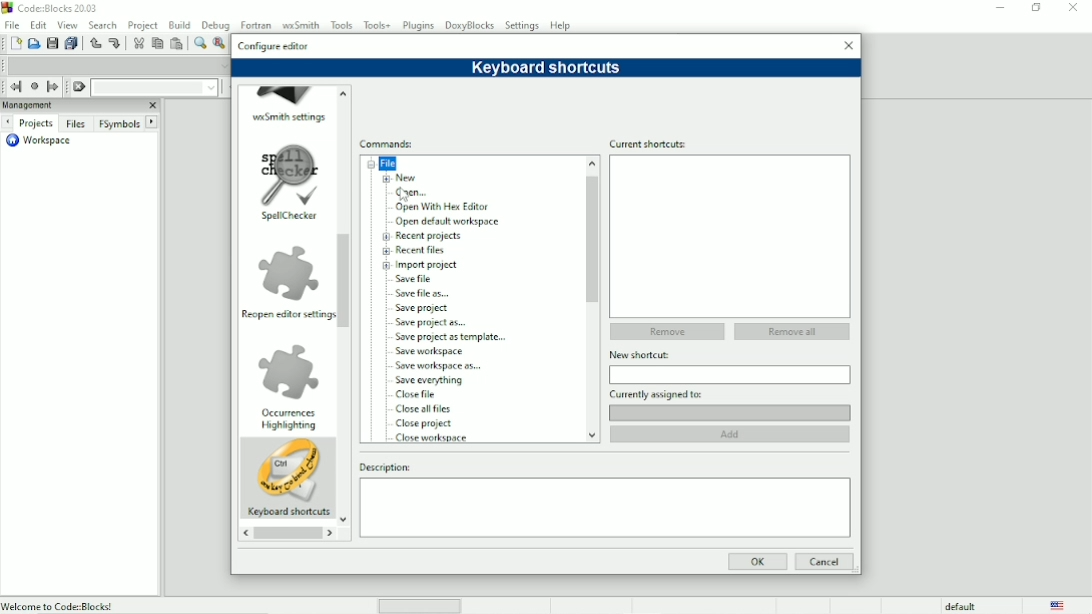 Image resolution: width=1092 pixels, height=614 pixels. Describe the element at coordinates (757, 562) in the screenshot. I see `OK` at that location.